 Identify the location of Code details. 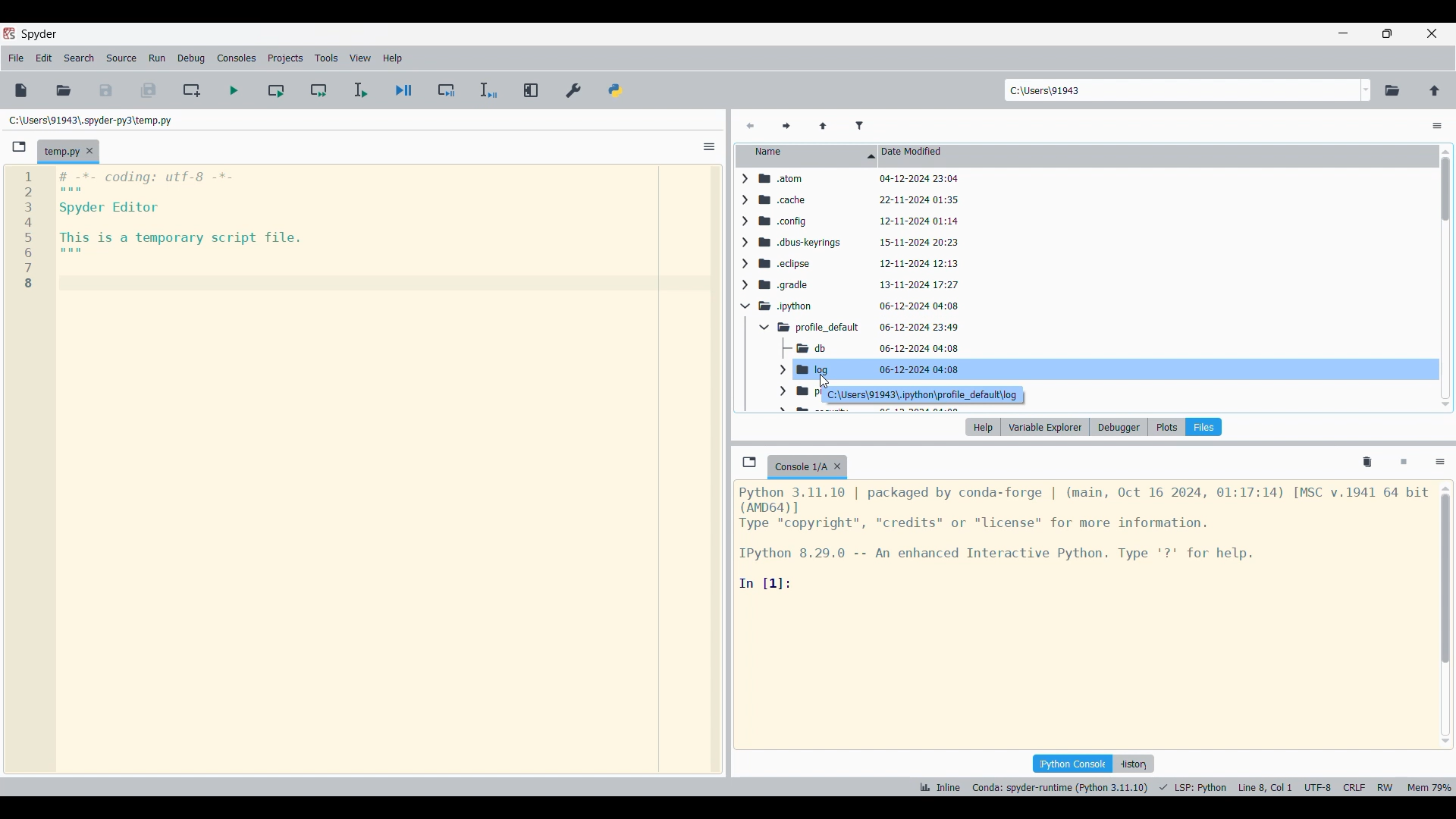
(1084, 538).